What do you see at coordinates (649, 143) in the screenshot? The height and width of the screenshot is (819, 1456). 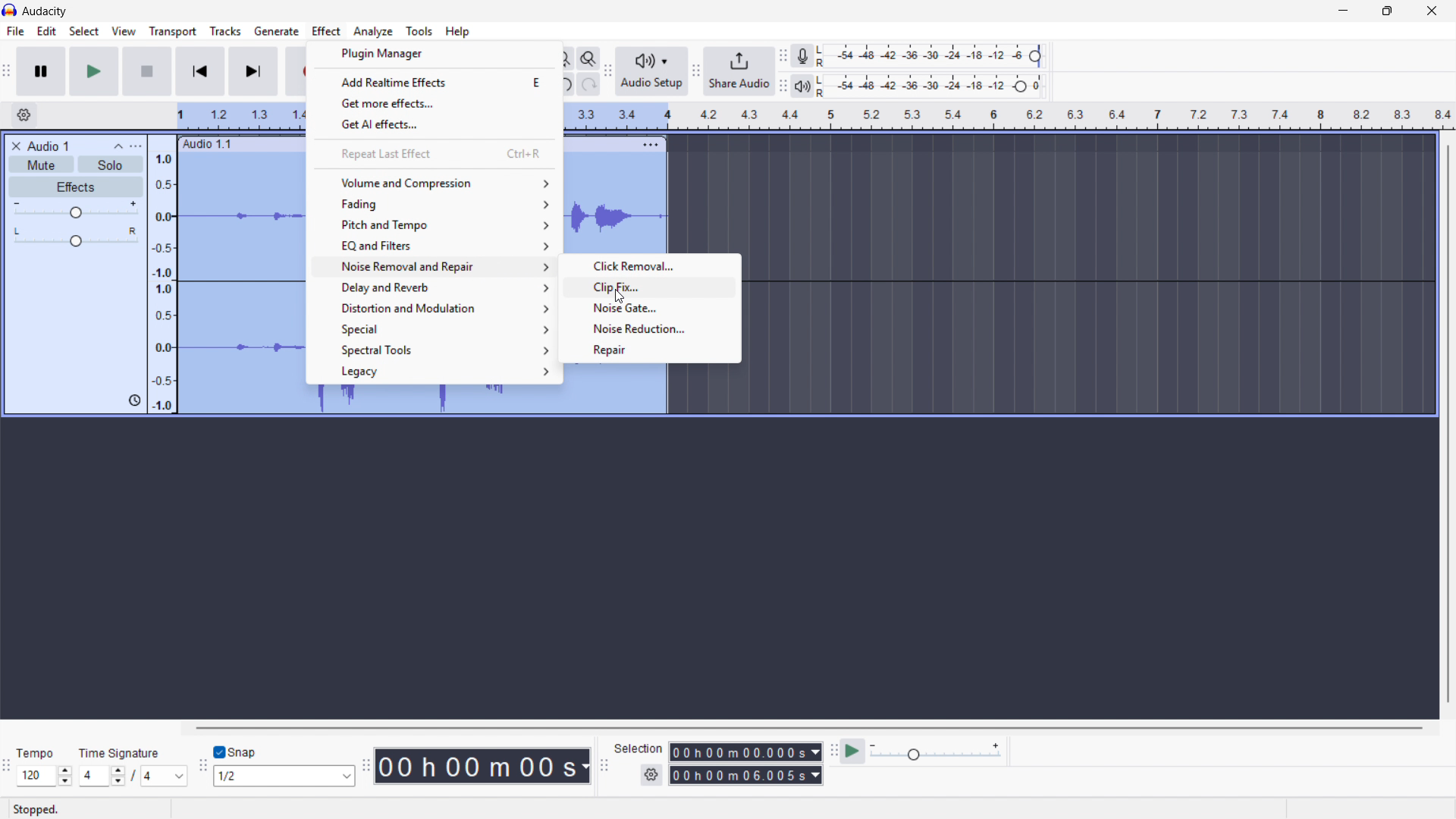 I see `Track options` at bounding box center [649, 143].